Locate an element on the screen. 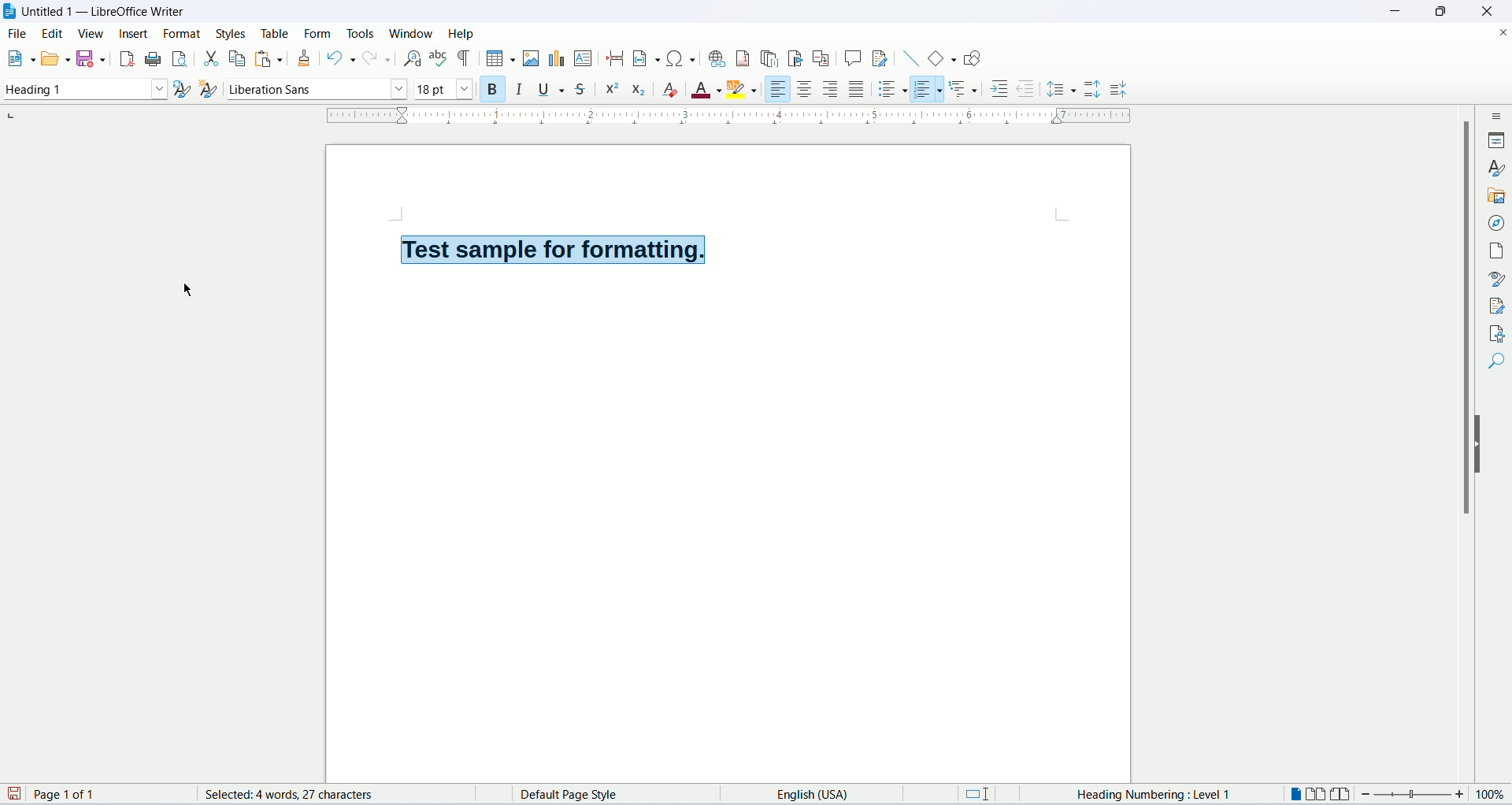  print preview is located at coordinates (180, 57).